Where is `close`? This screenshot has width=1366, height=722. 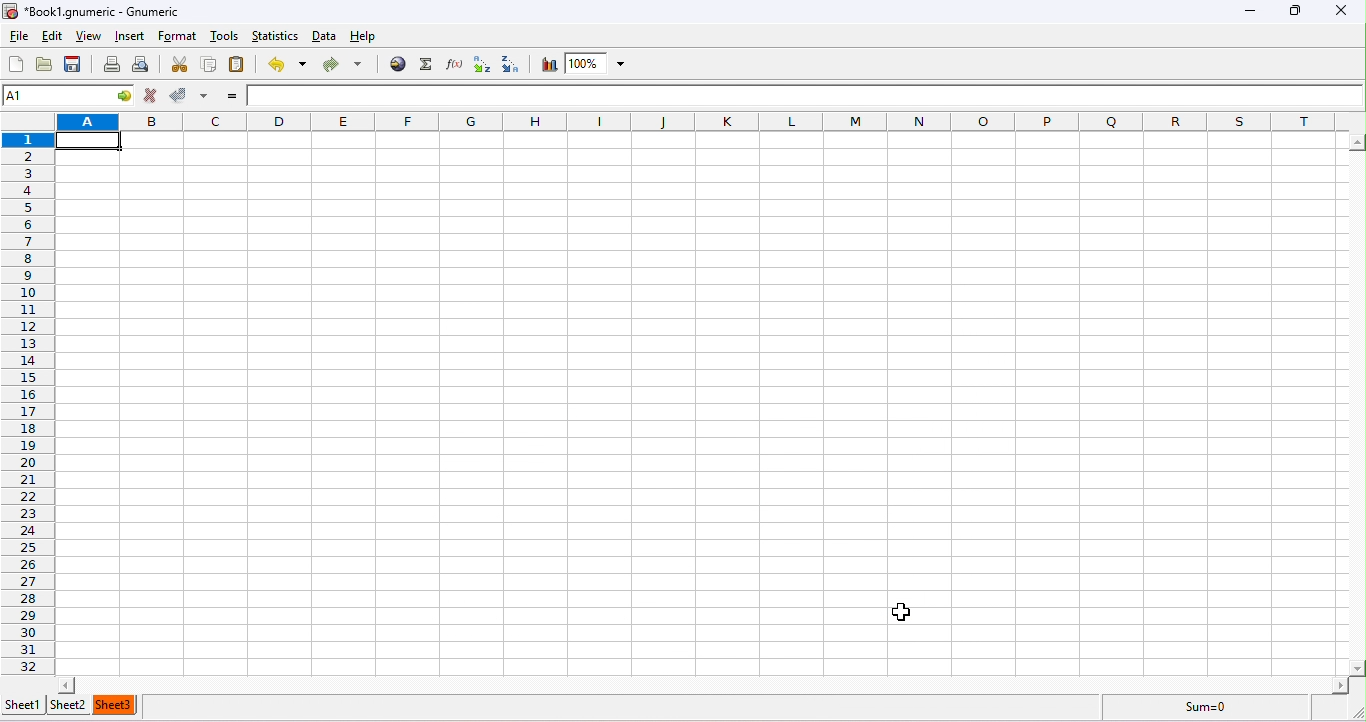 close is located at coordinates (1348, 9).